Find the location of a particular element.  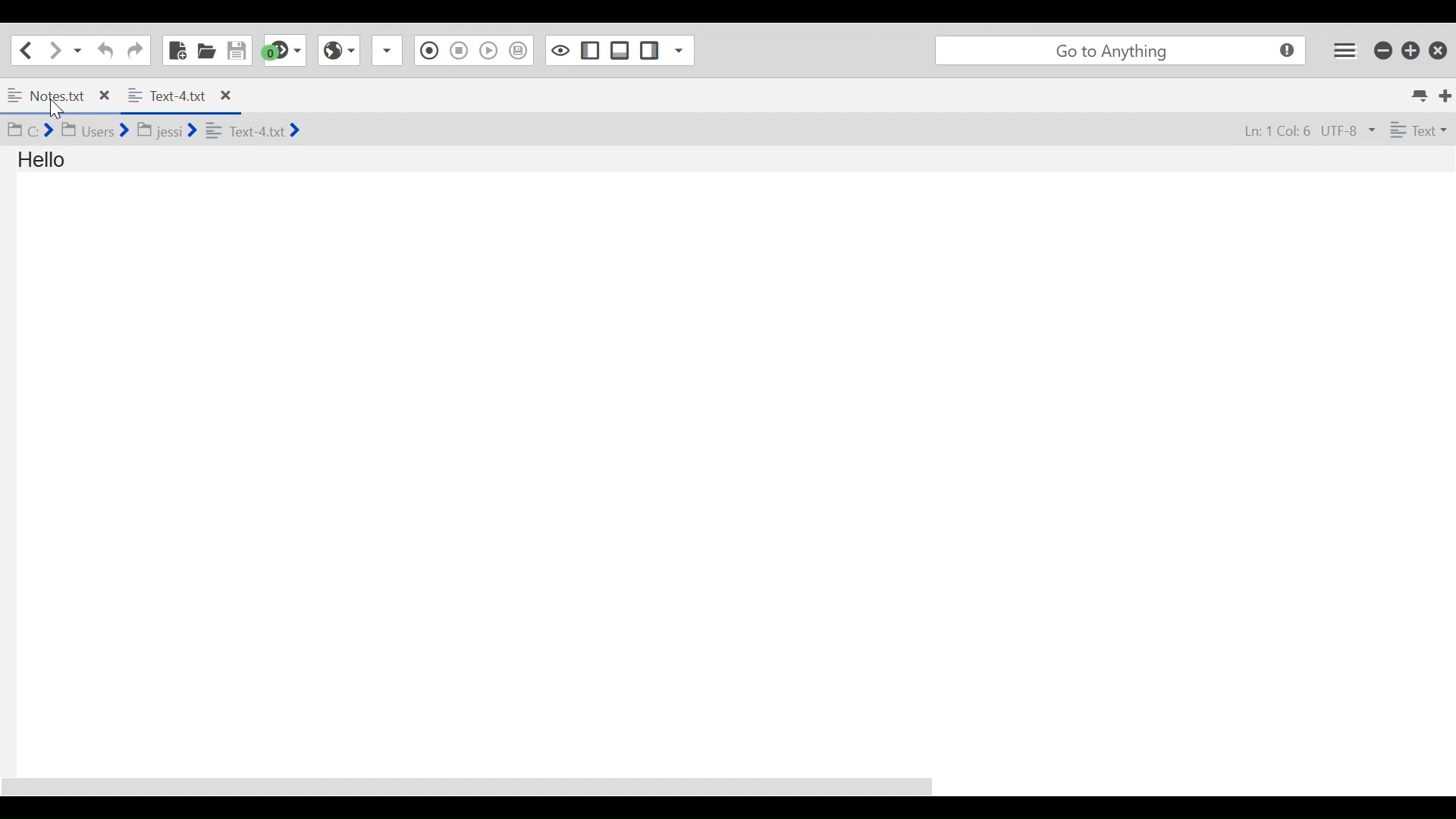

Show/Hide Left Pane is located at coordinates (588, 50).